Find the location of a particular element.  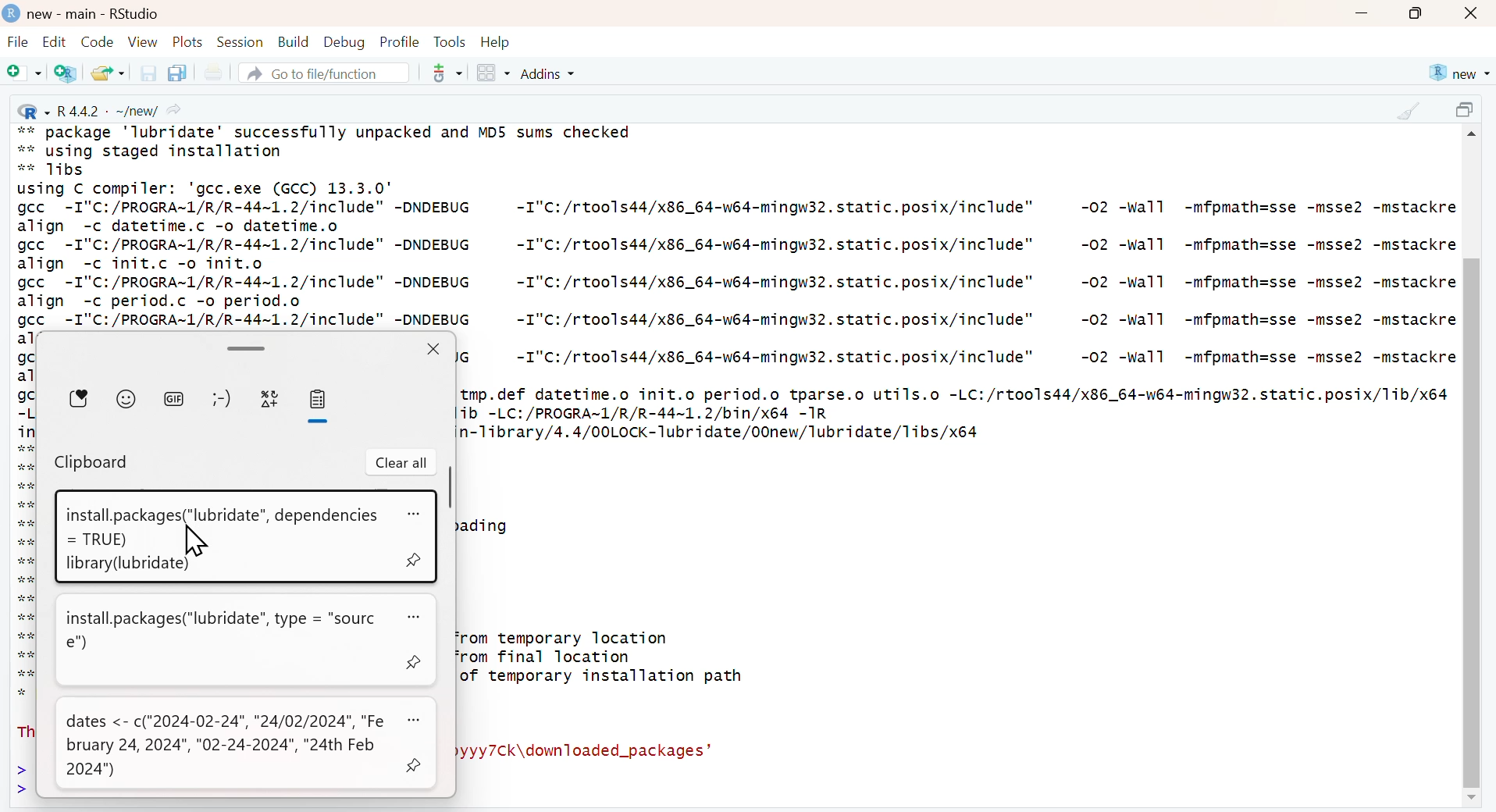

minimize is located at coordinates (1361, 15).